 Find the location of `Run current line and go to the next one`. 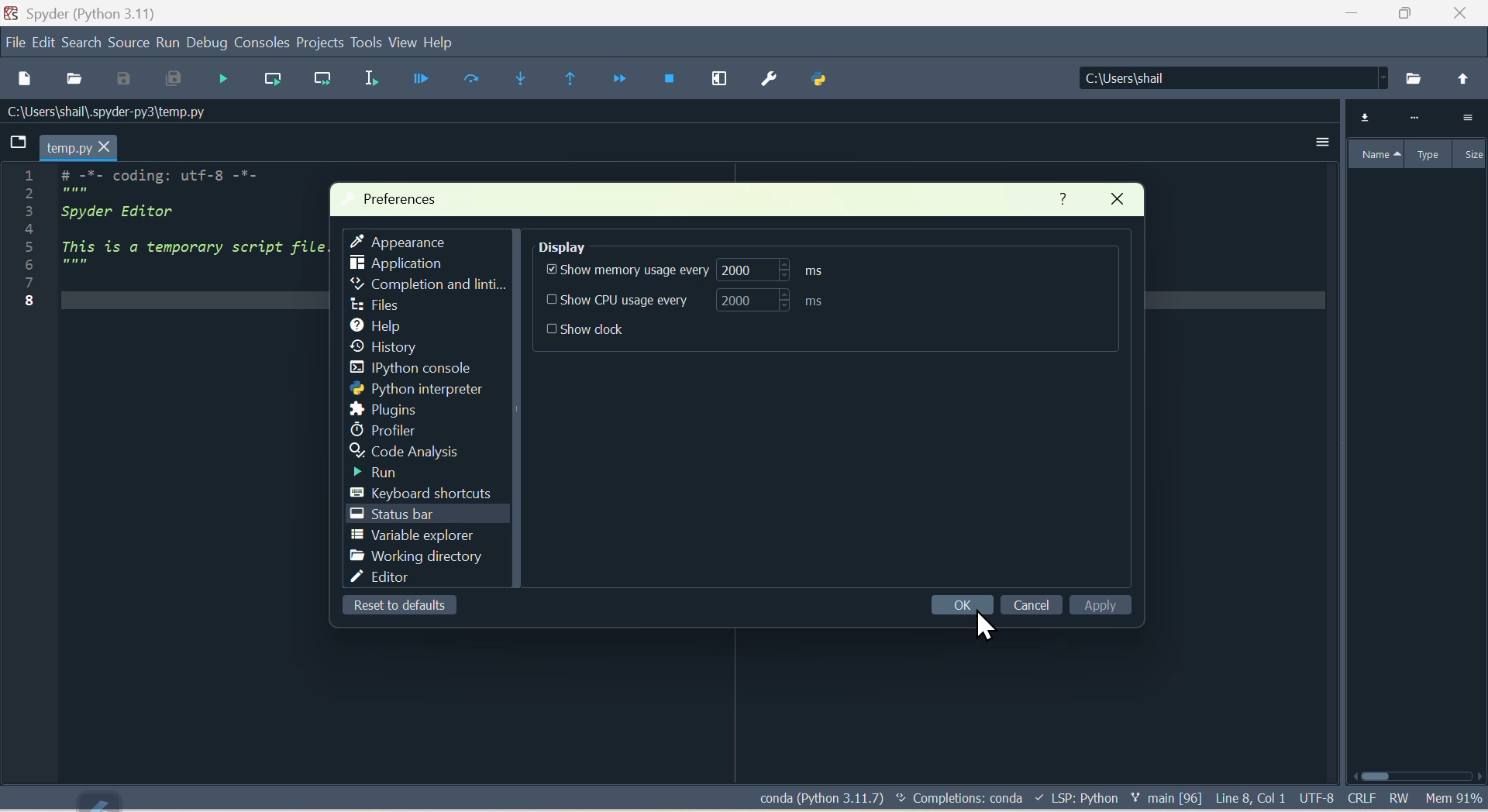

Run current line and go to the next one is located at coordinates (319, 77).